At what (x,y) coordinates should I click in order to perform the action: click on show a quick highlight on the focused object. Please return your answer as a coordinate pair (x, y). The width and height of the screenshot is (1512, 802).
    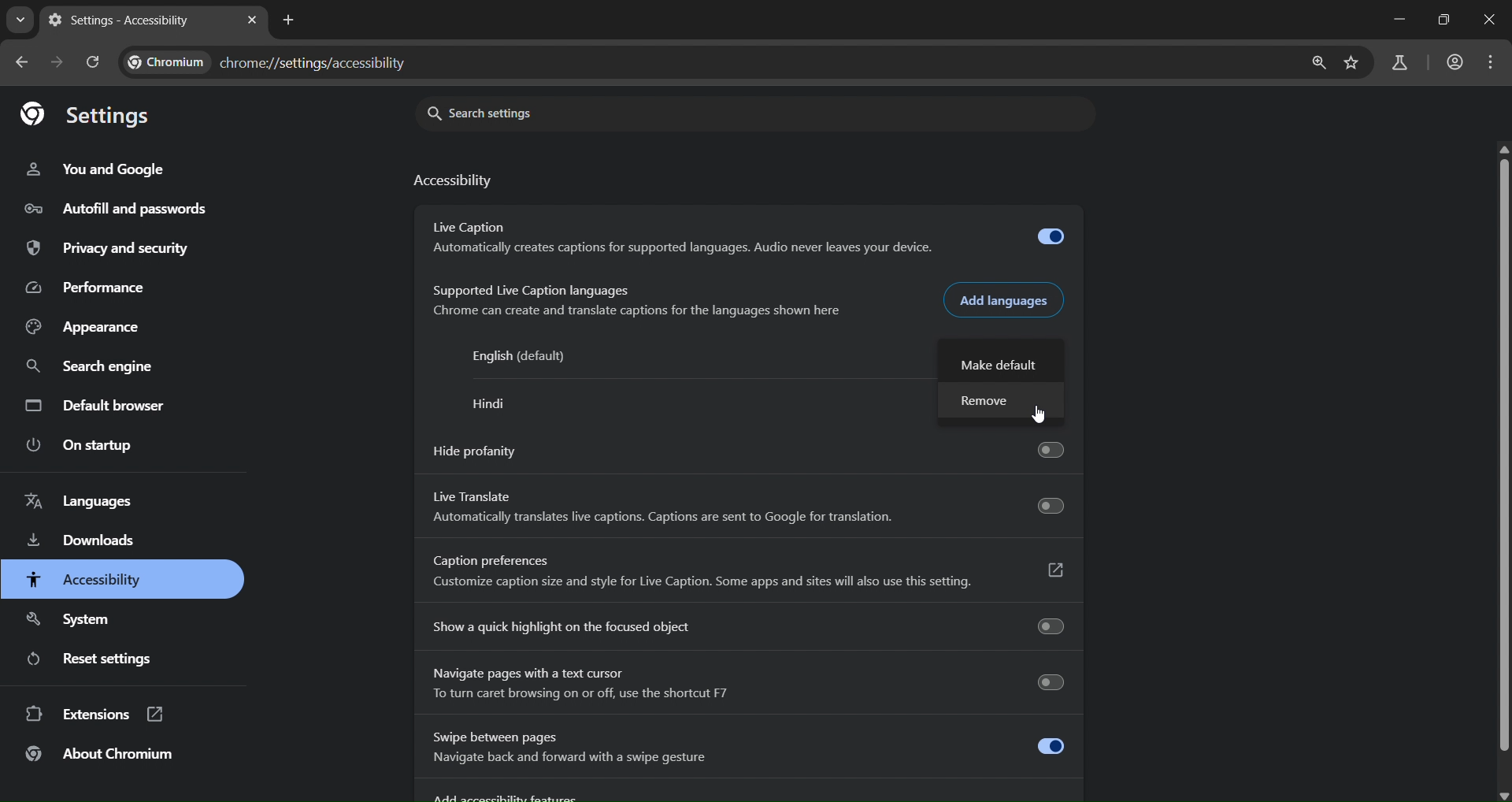
    Looking at the image, I should click on (750, 626).